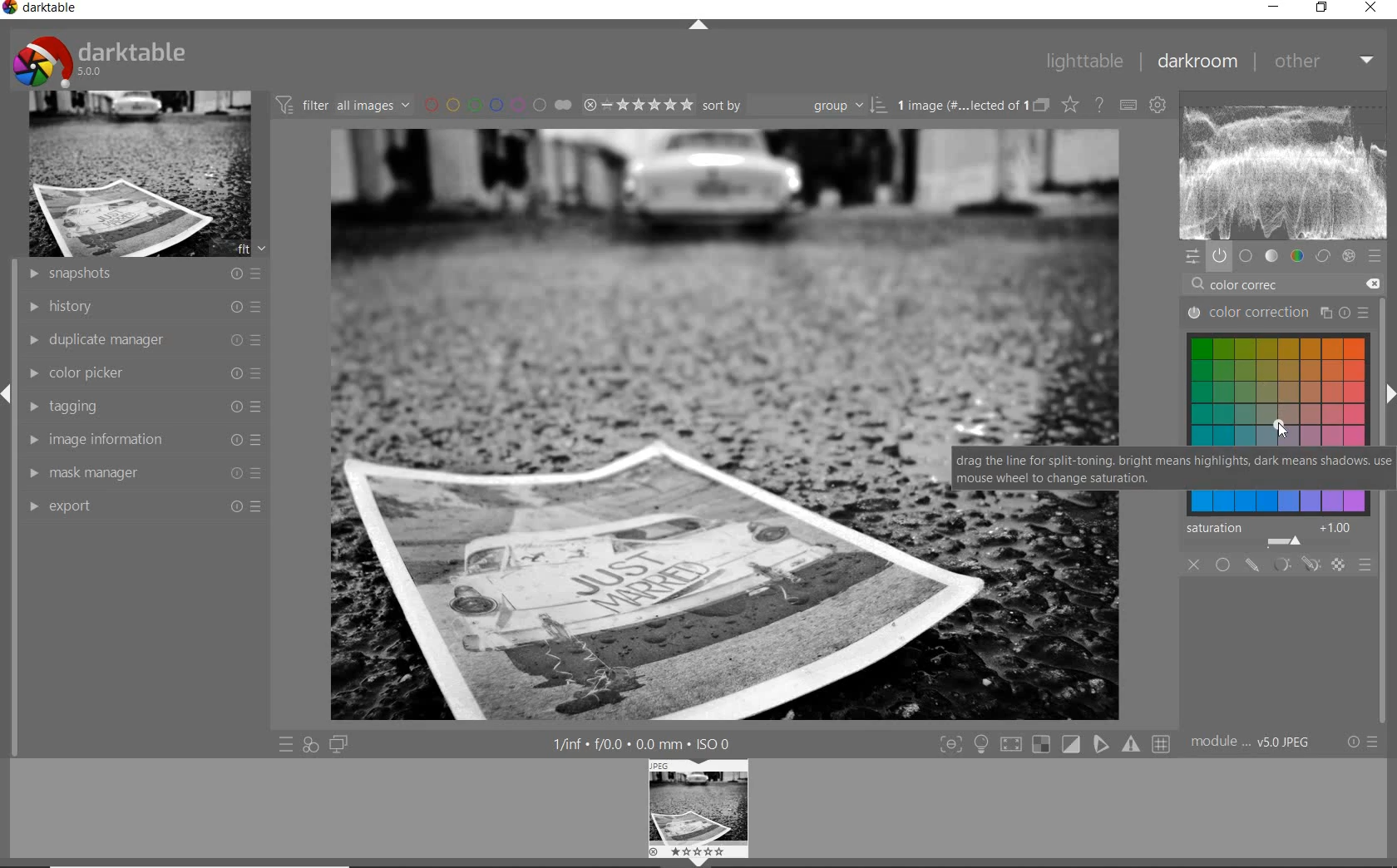  What do you see at coordinates (1246, 257) in the screenshot?
I see `base` at bounding box center [1246, 257].